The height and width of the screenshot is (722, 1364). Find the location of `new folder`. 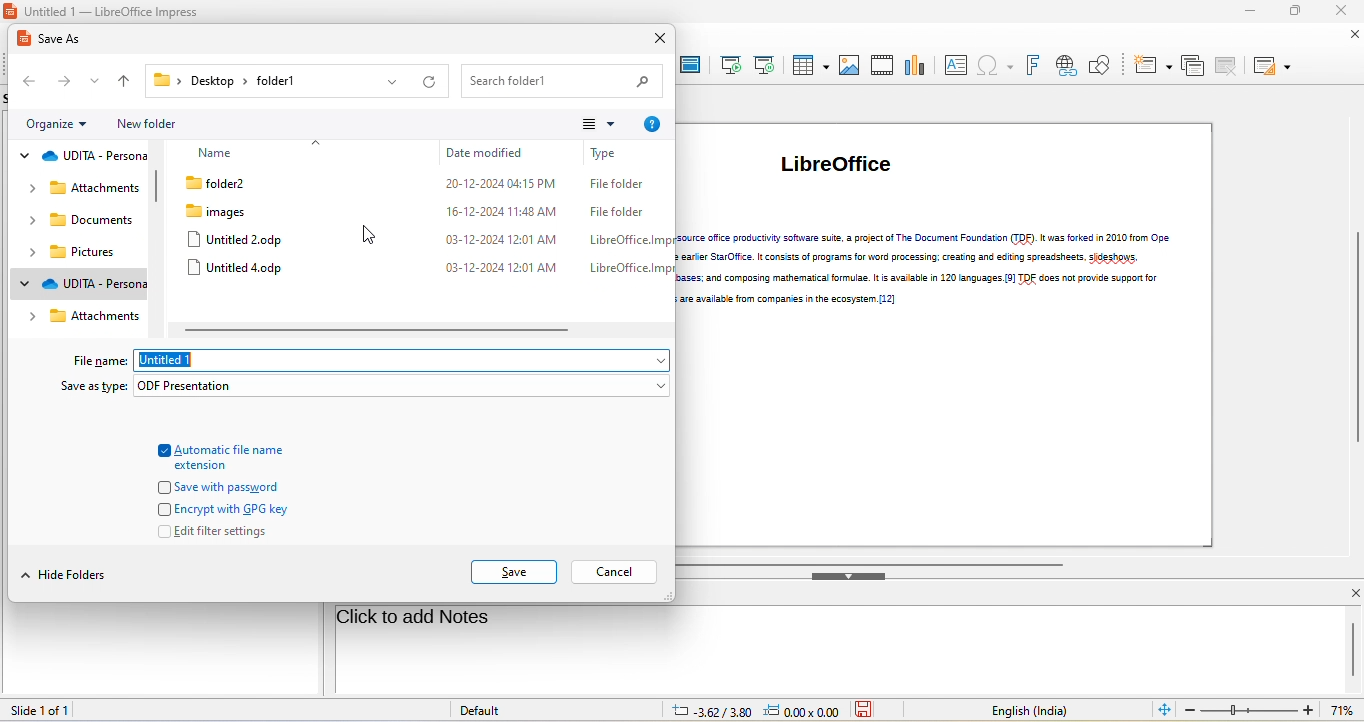

new folder is located at coordinates (151, 126).